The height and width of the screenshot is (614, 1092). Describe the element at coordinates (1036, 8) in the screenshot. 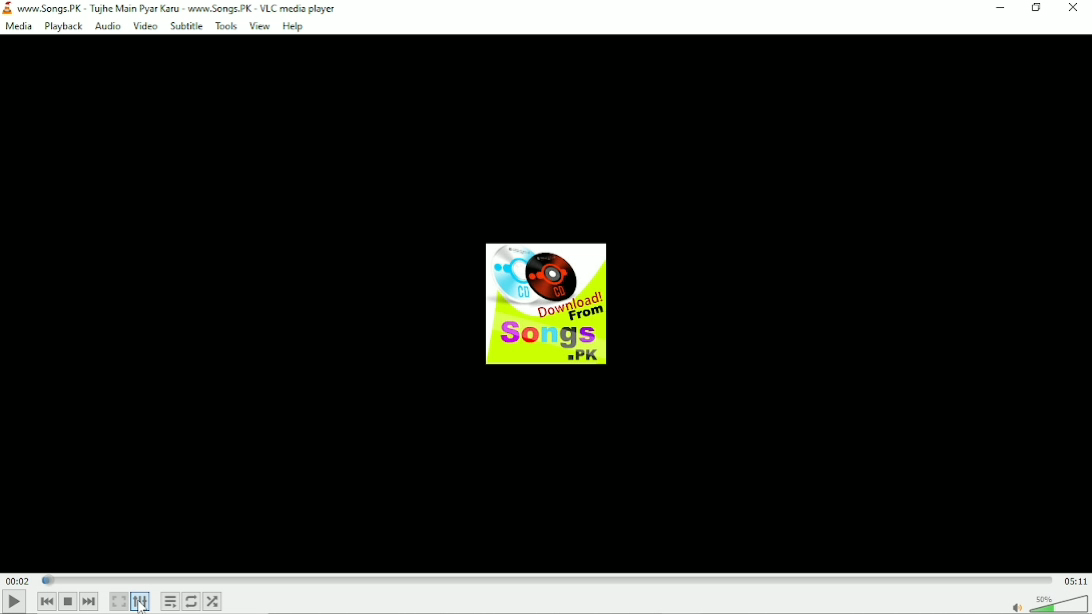

I see `Restore down` at that location.